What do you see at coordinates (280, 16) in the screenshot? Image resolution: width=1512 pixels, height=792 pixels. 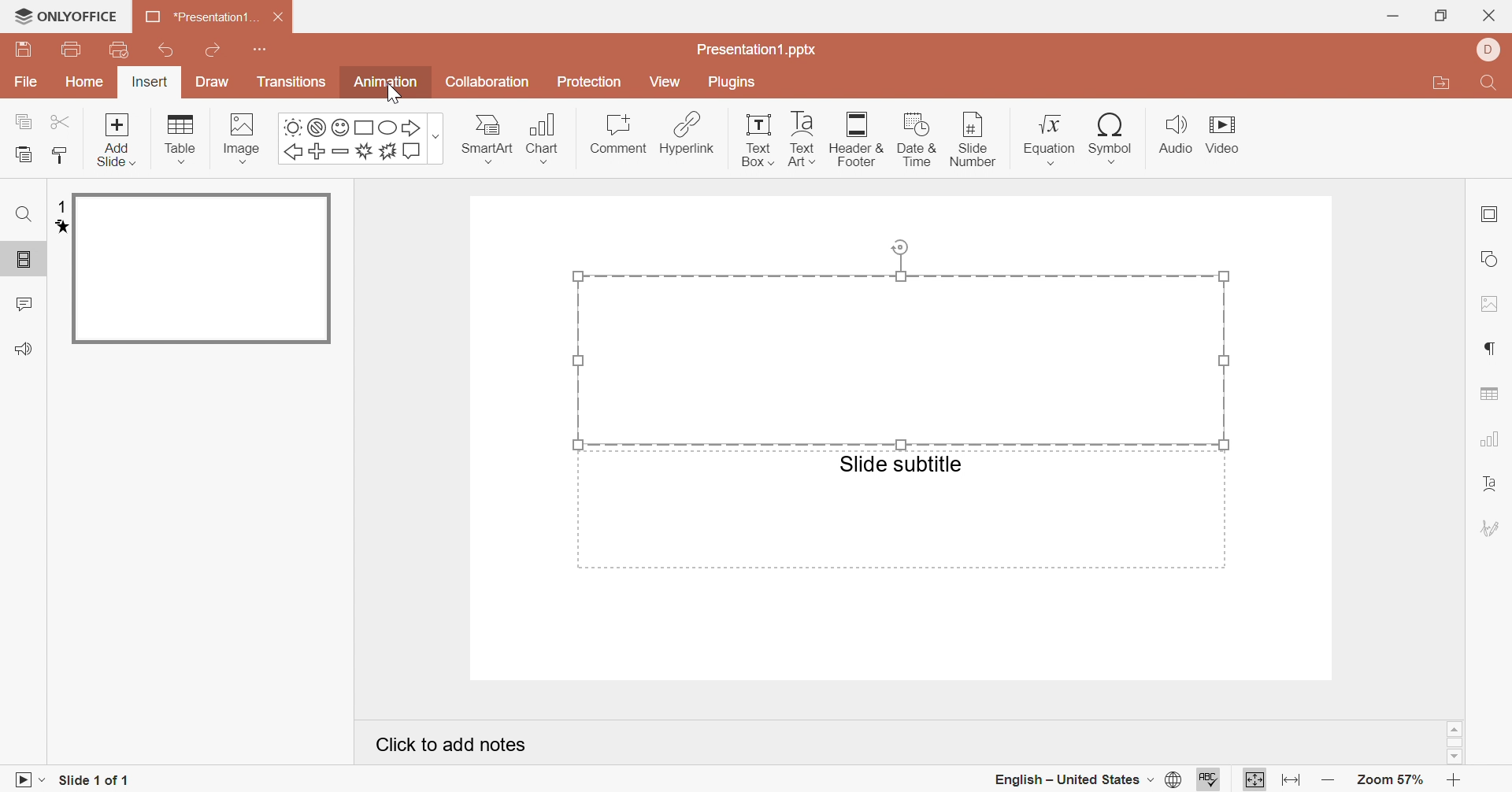 I see `close` at bounding box center [280, 16].